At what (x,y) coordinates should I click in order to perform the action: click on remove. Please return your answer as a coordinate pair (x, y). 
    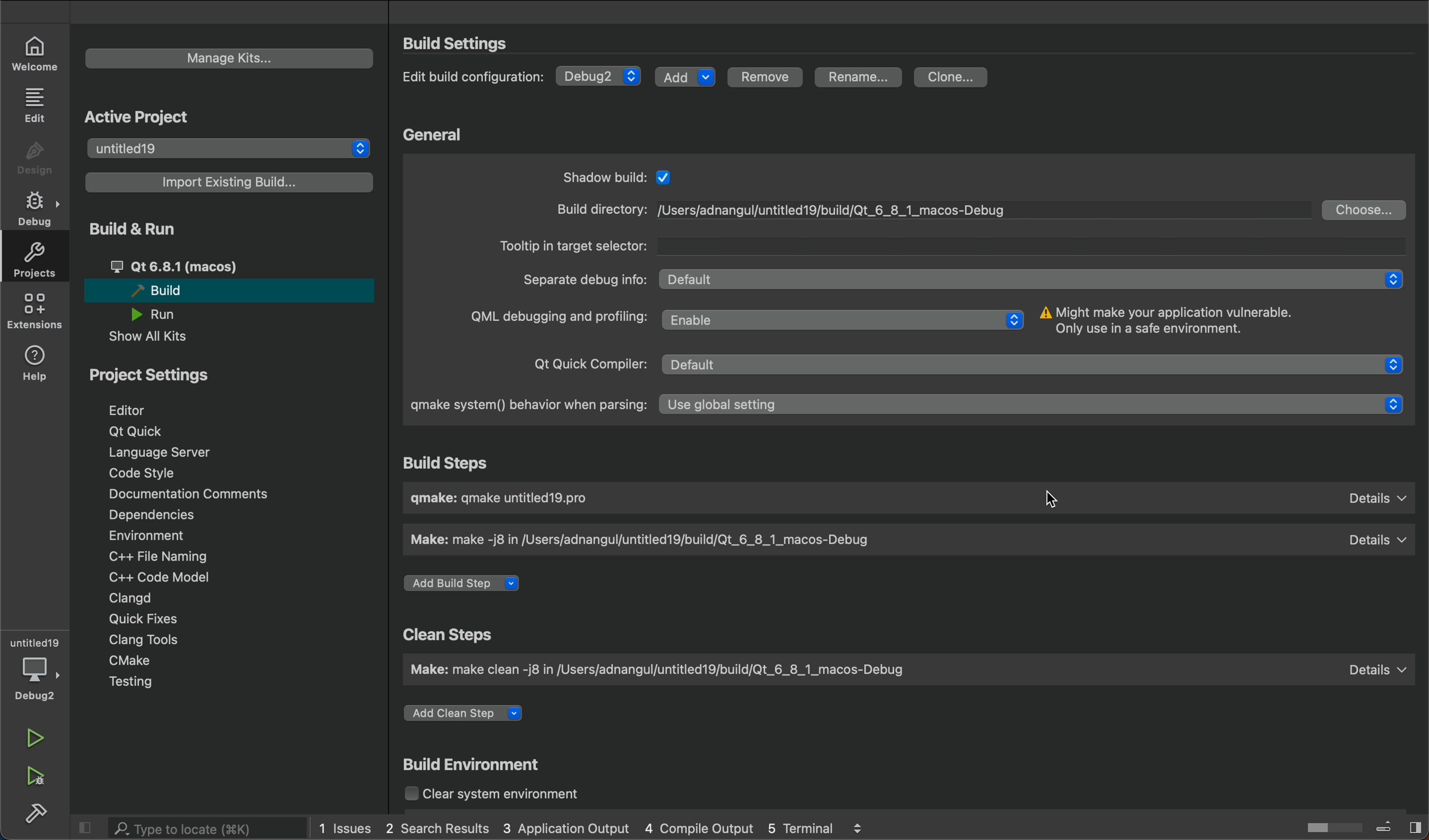
    Looking at the image, I should click on (764, 79).